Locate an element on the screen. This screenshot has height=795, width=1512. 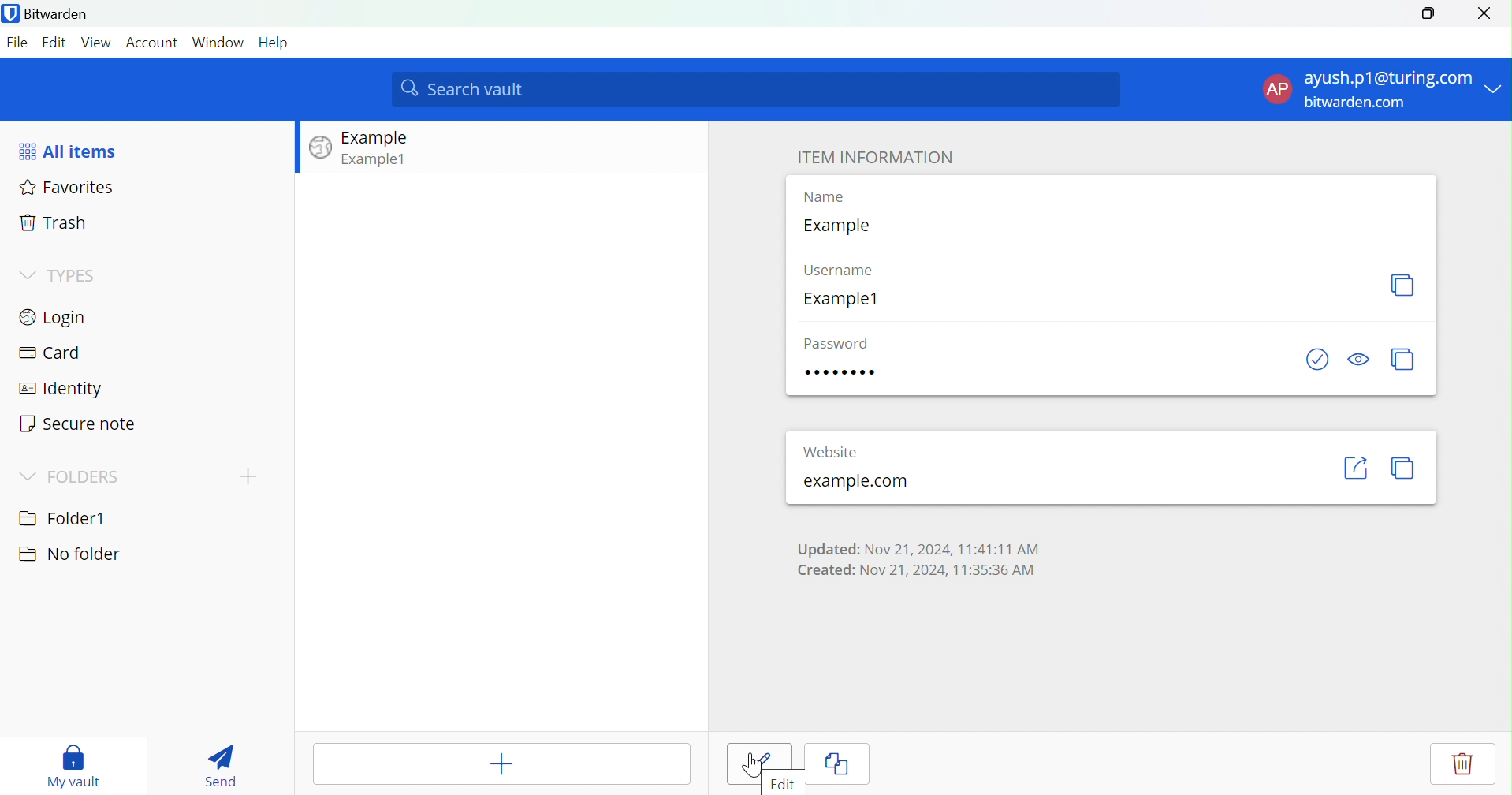
Clone is located at coordinates (837, 766).